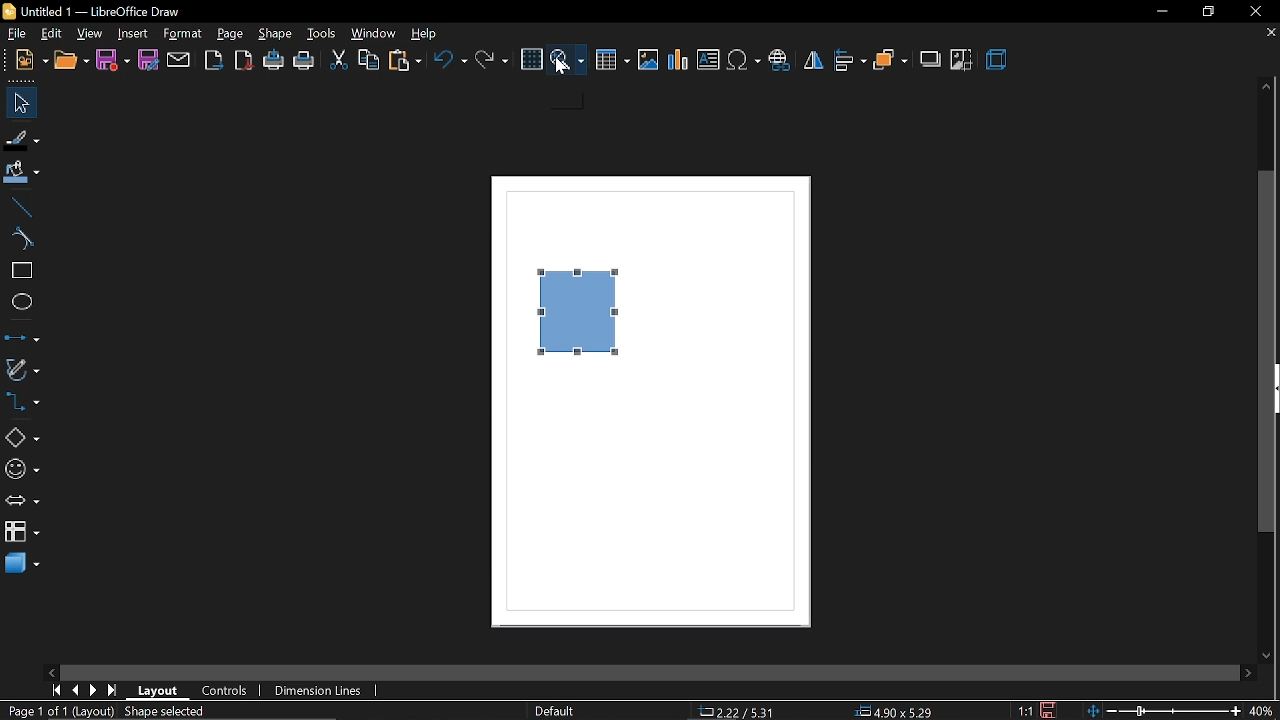  I want to click on tools, so click(322, 35).